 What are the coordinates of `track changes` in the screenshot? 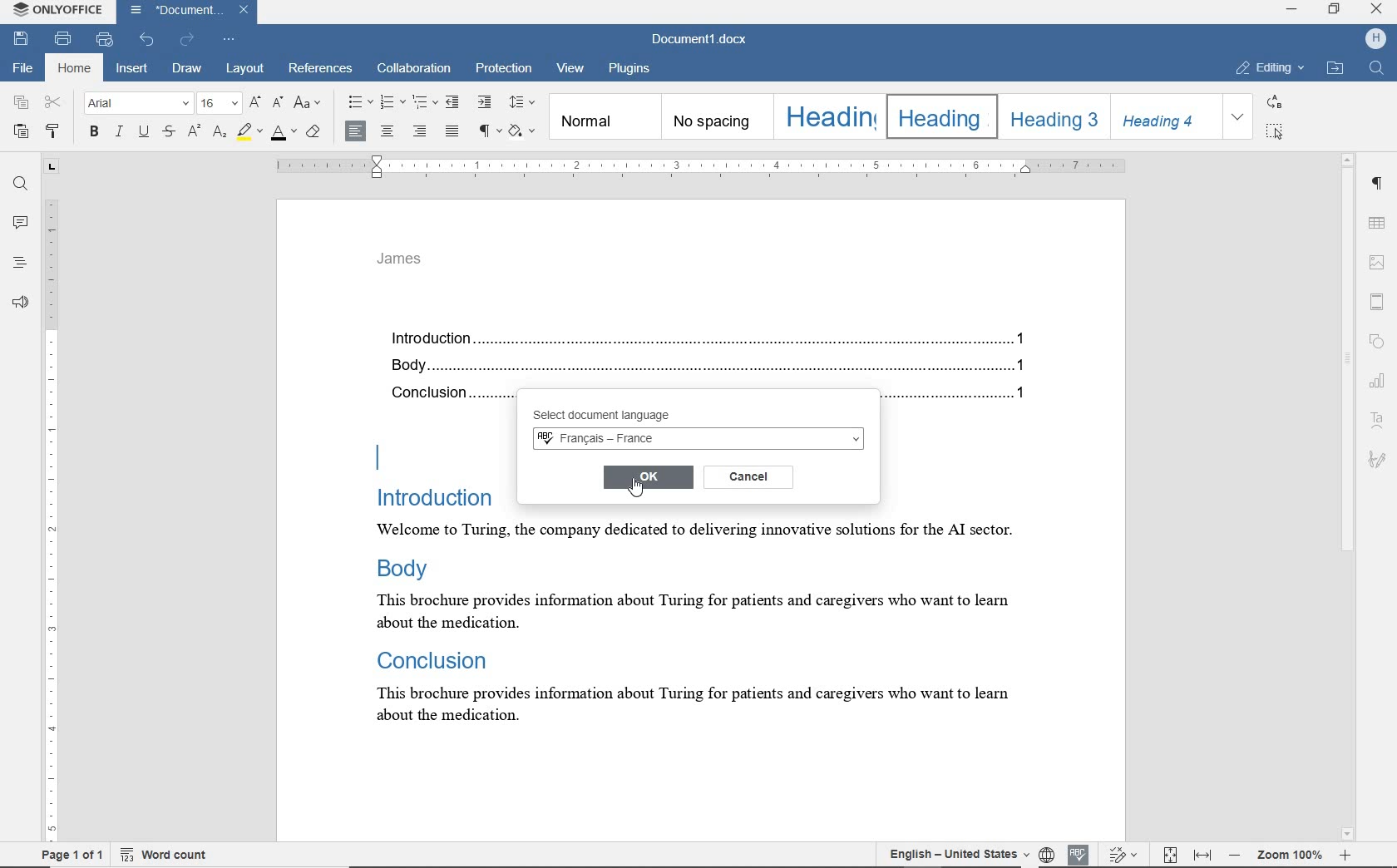 It's located at (1124, 855).